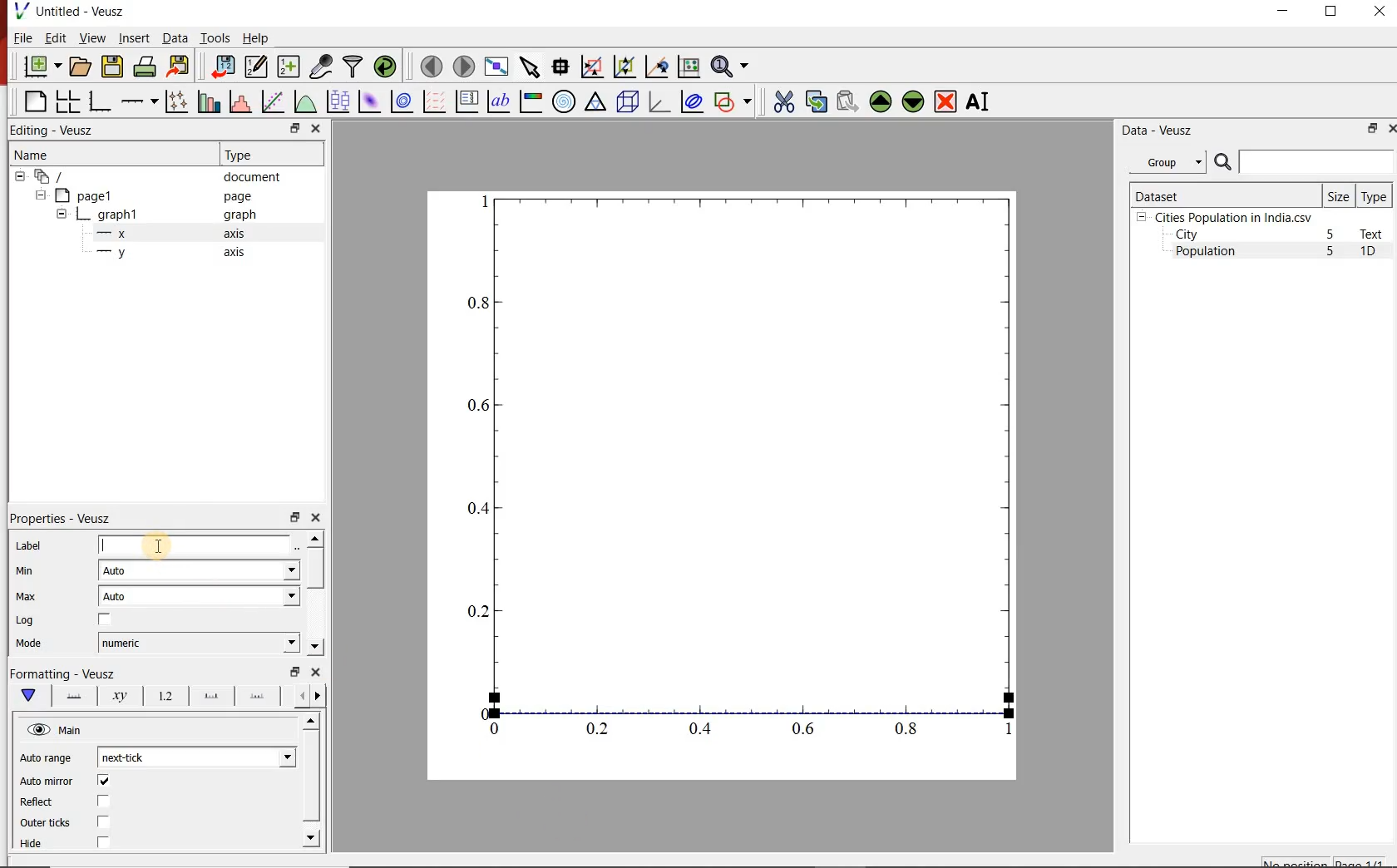  Describe the element at coordinates (48, 780) in the screenshot. I see `Auto mirror` at that location.